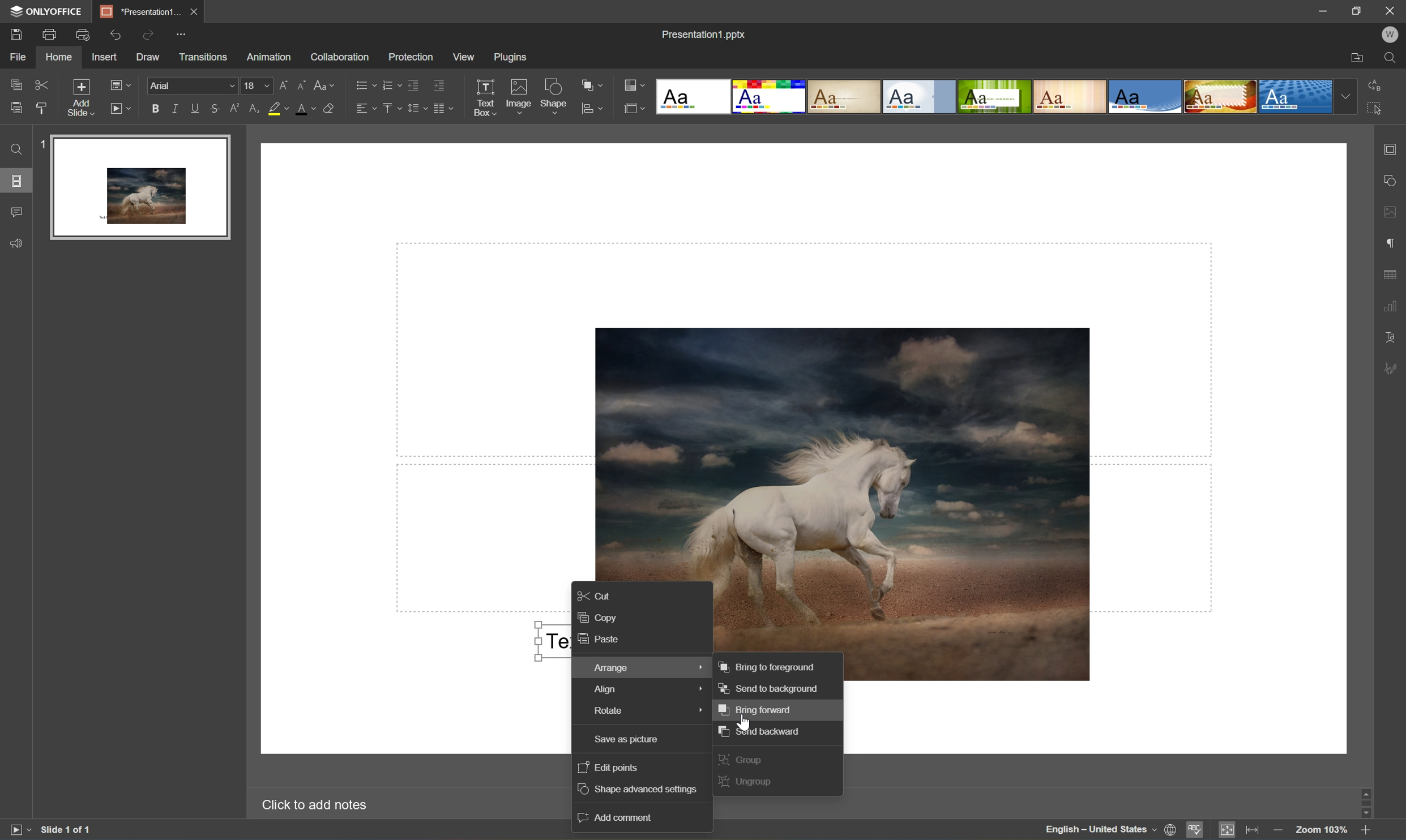 The width and height of the screenshot is (1406, 840). Describe the element at coordinates (1390, 36) in the screenshot. I see `W` at that location.